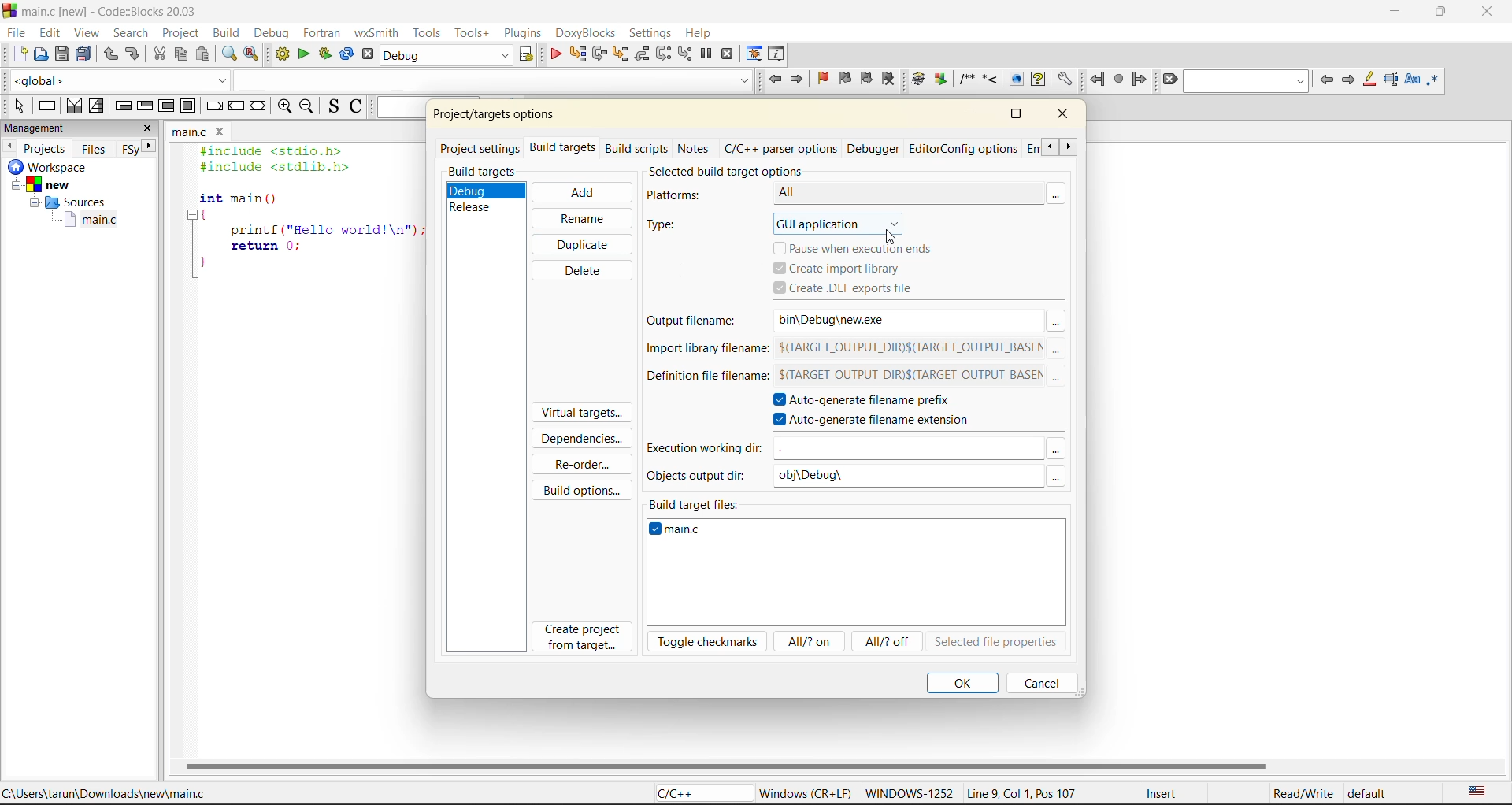 The image size is (1512, 805). What do you see at coordinates (703, 31) in the screenshot?
I see `help` at bounding box center [703, 31].